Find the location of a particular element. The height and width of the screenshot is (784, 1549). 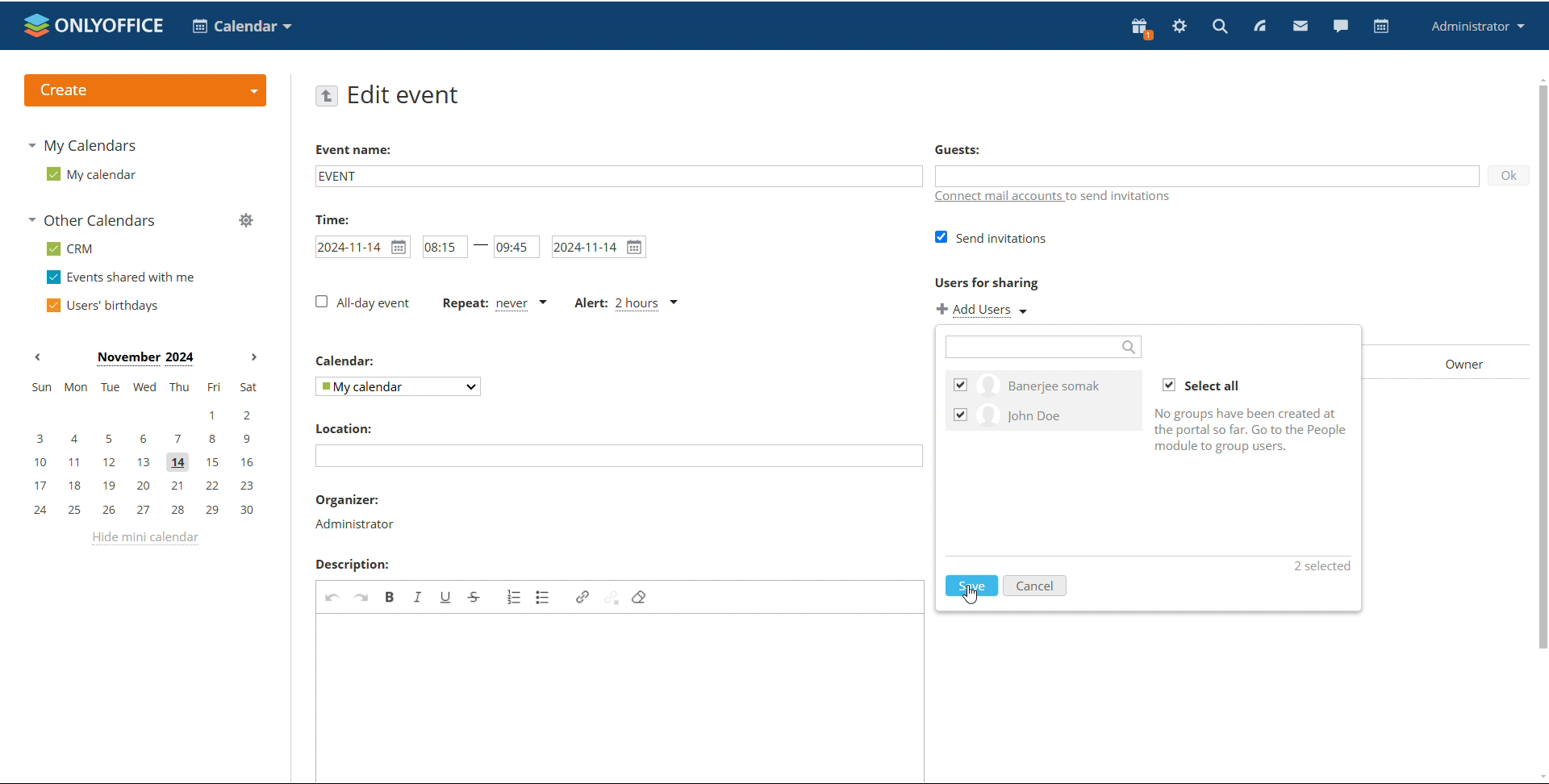

mail is located at coordinates (1300, 25).